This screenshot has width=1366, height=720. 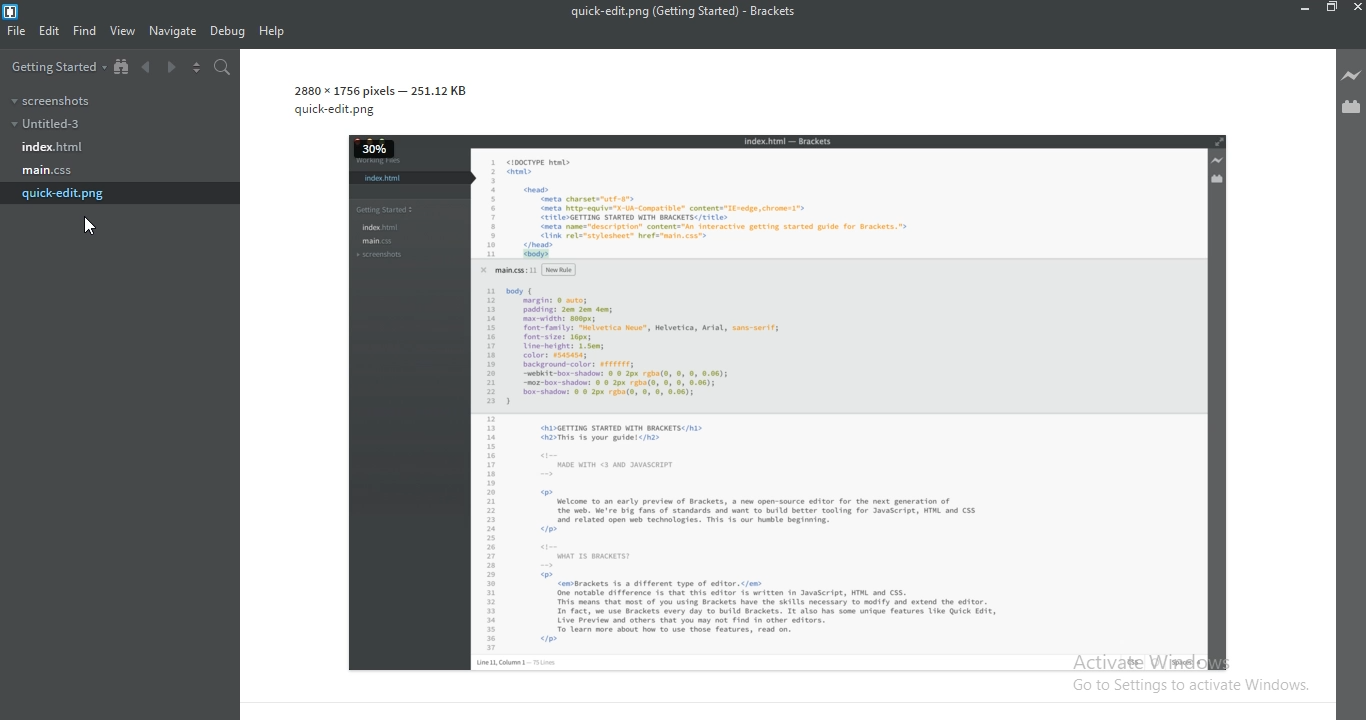 What do you see at coordinates (94, 227) in the screenshot?
I see `cursor` at bounding box center [94, 227].